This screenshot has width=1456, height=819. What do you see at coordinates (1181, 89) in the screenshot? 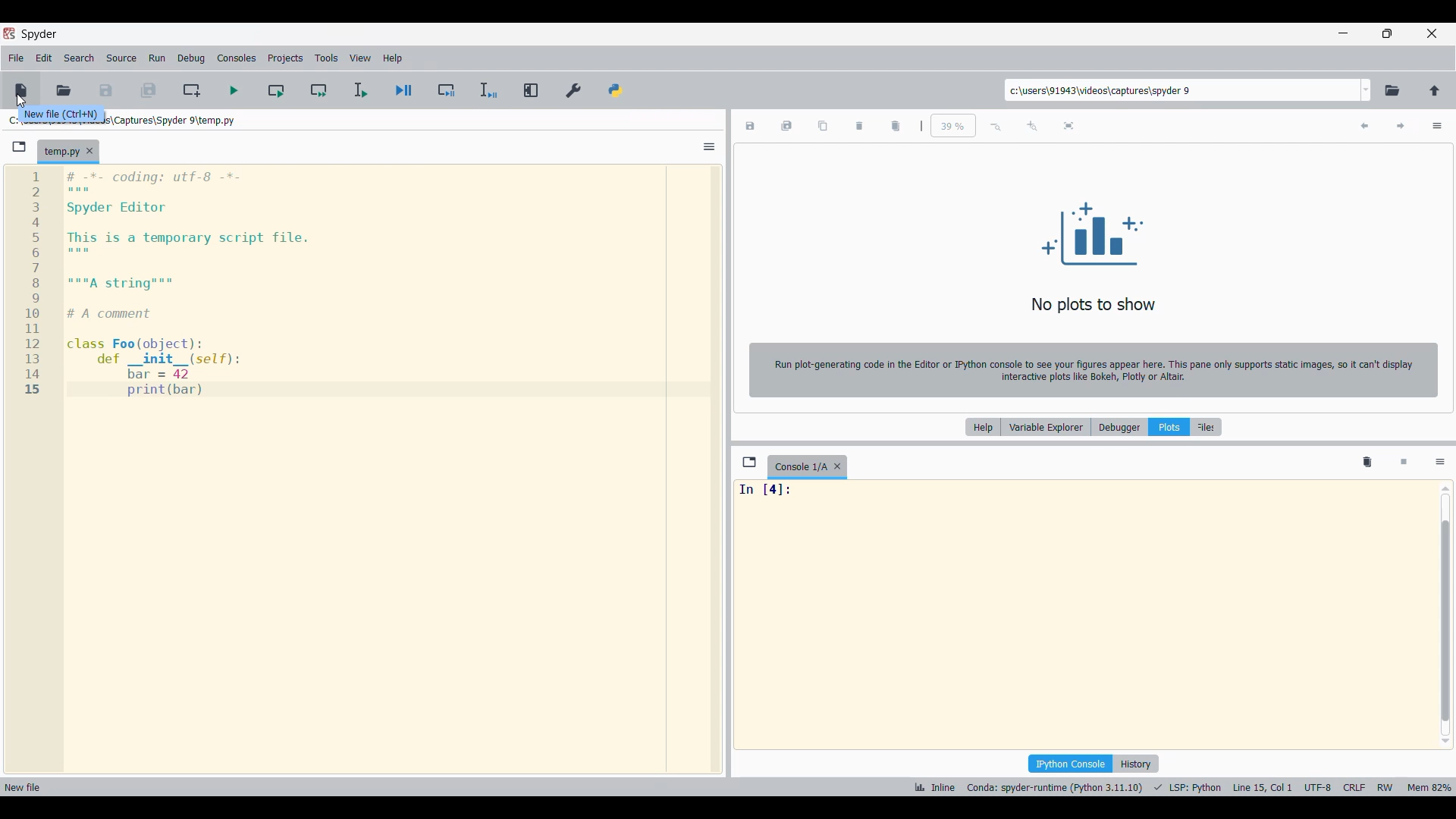
I see `Input folder location` at bounding box center [1181, 89].